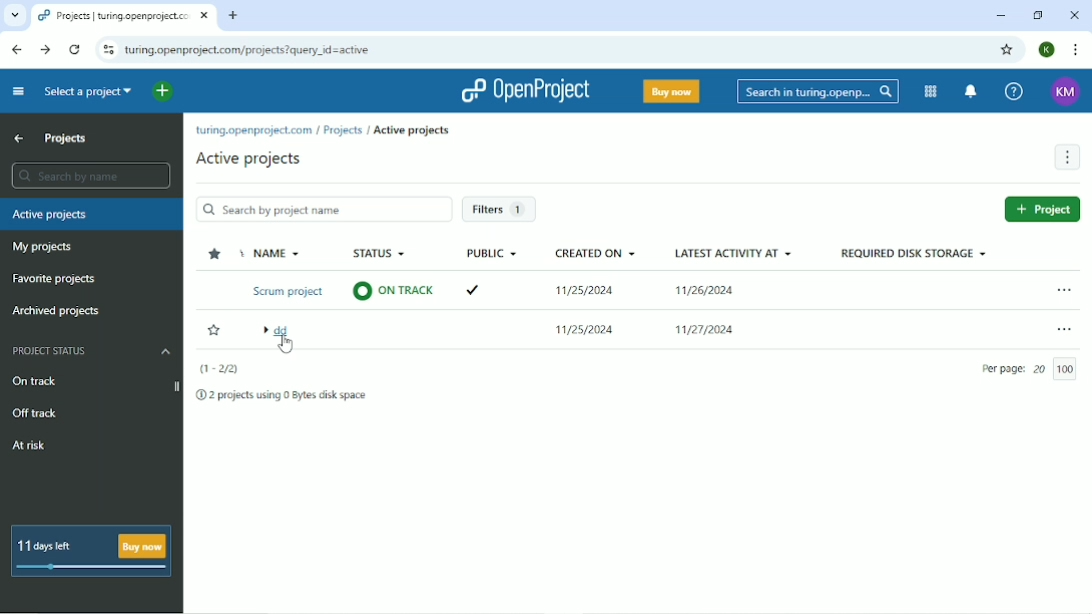 This screenshot has height=614, width=1092. Describe the element at coordinates (42, 247) in the screenshot. I see `My projects` at that location.